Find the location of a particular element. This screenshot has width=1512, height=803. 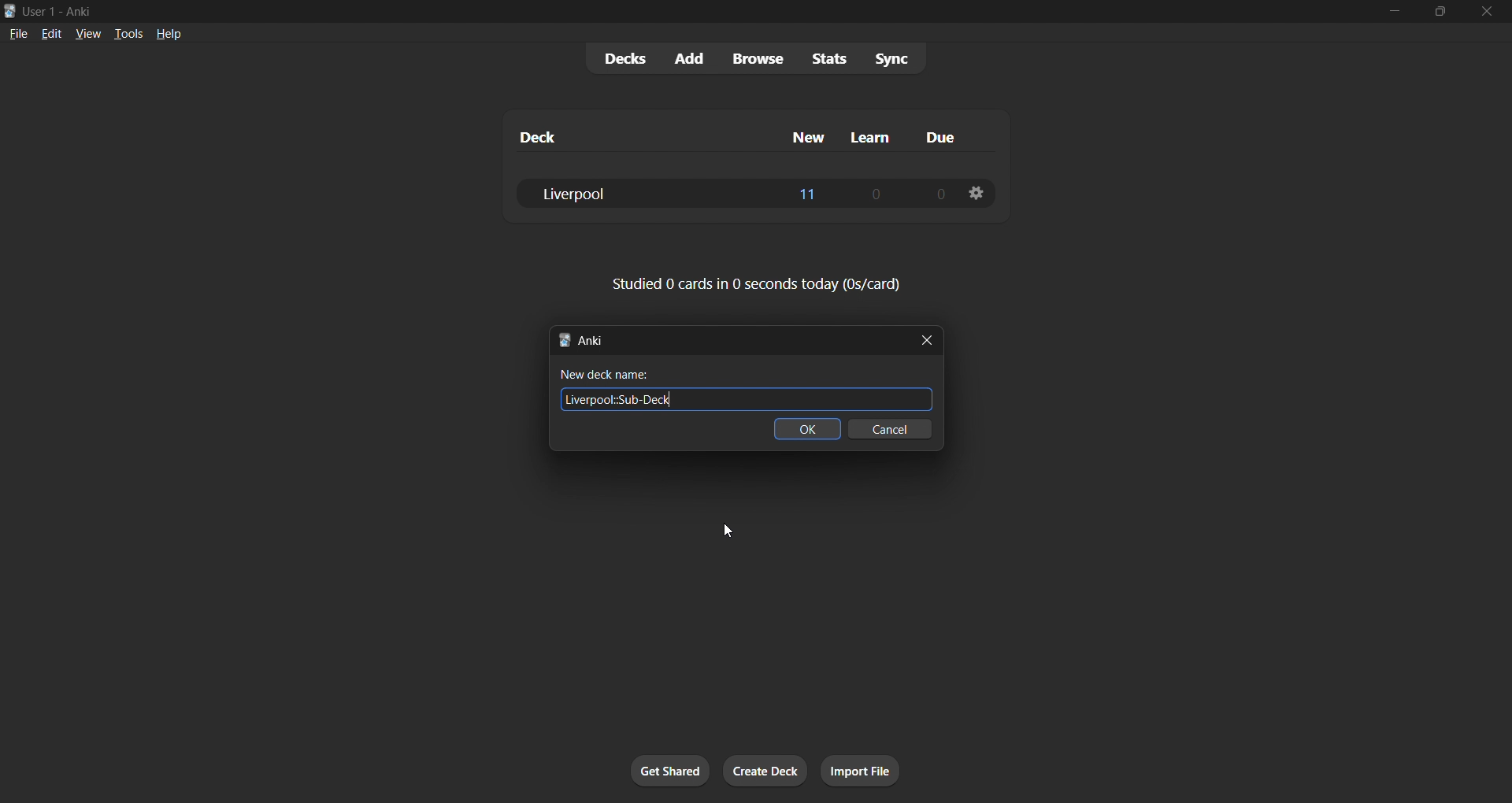

 is located at coordinates (891, 56).